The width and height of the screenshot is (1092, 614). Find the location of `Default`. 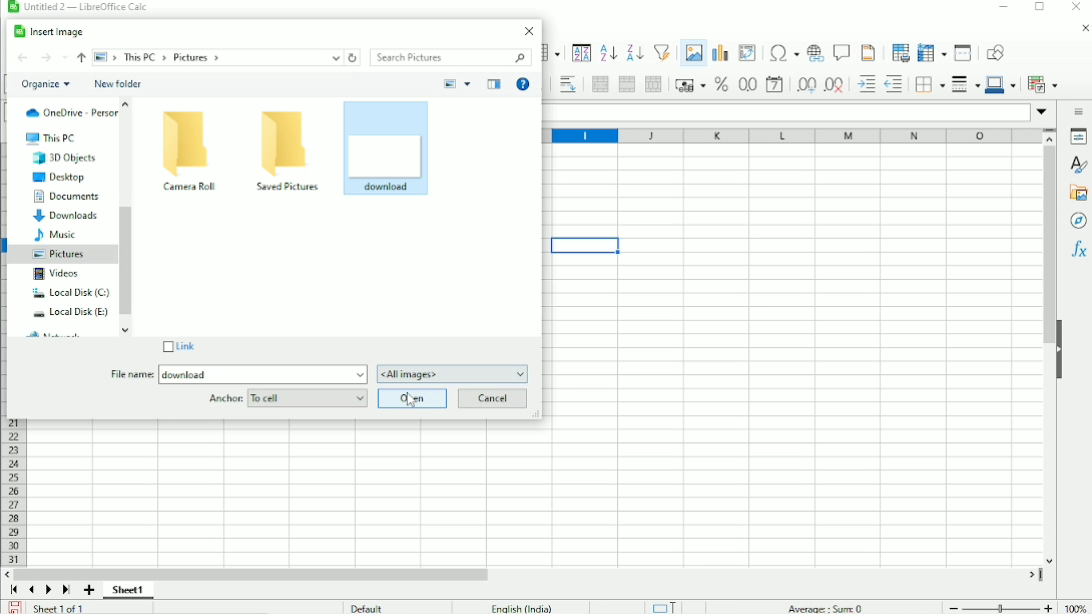

Default is located at coordinates (369, 607).